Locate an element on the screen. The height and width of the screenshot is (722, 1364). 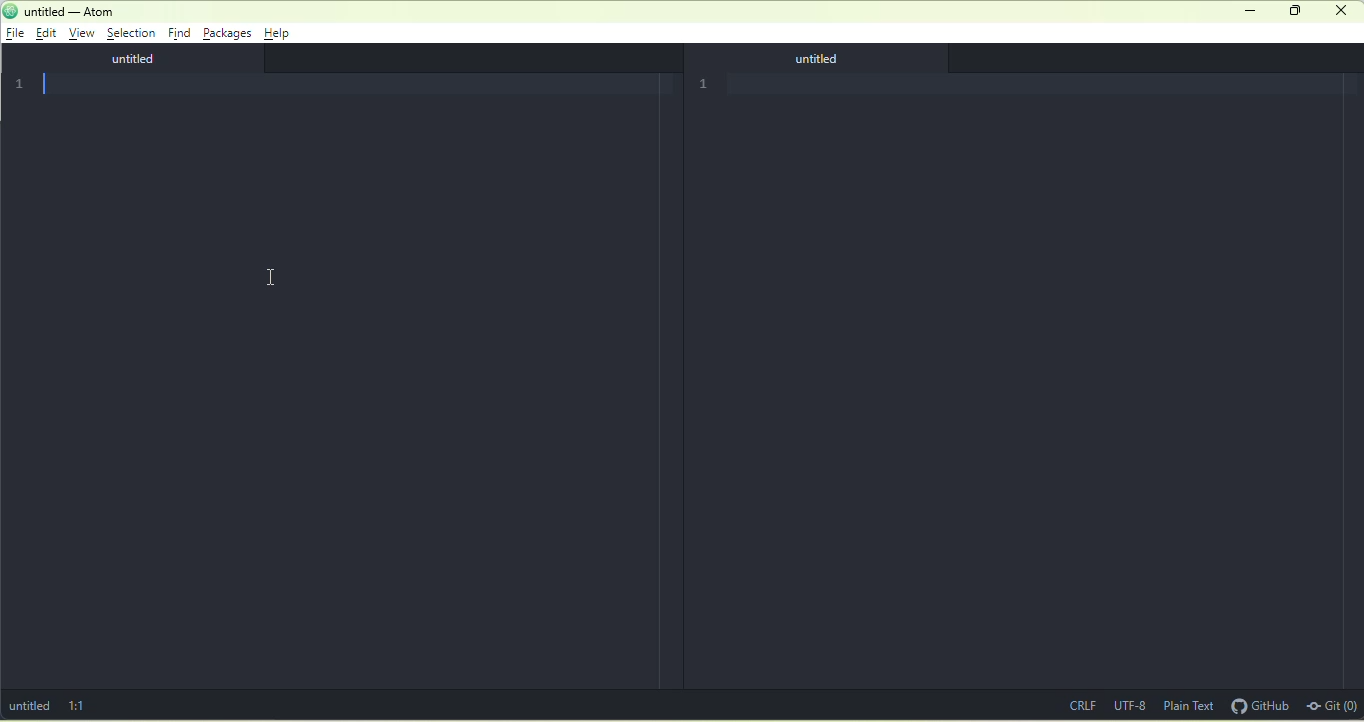
packages is located at coordinates (227, 34).